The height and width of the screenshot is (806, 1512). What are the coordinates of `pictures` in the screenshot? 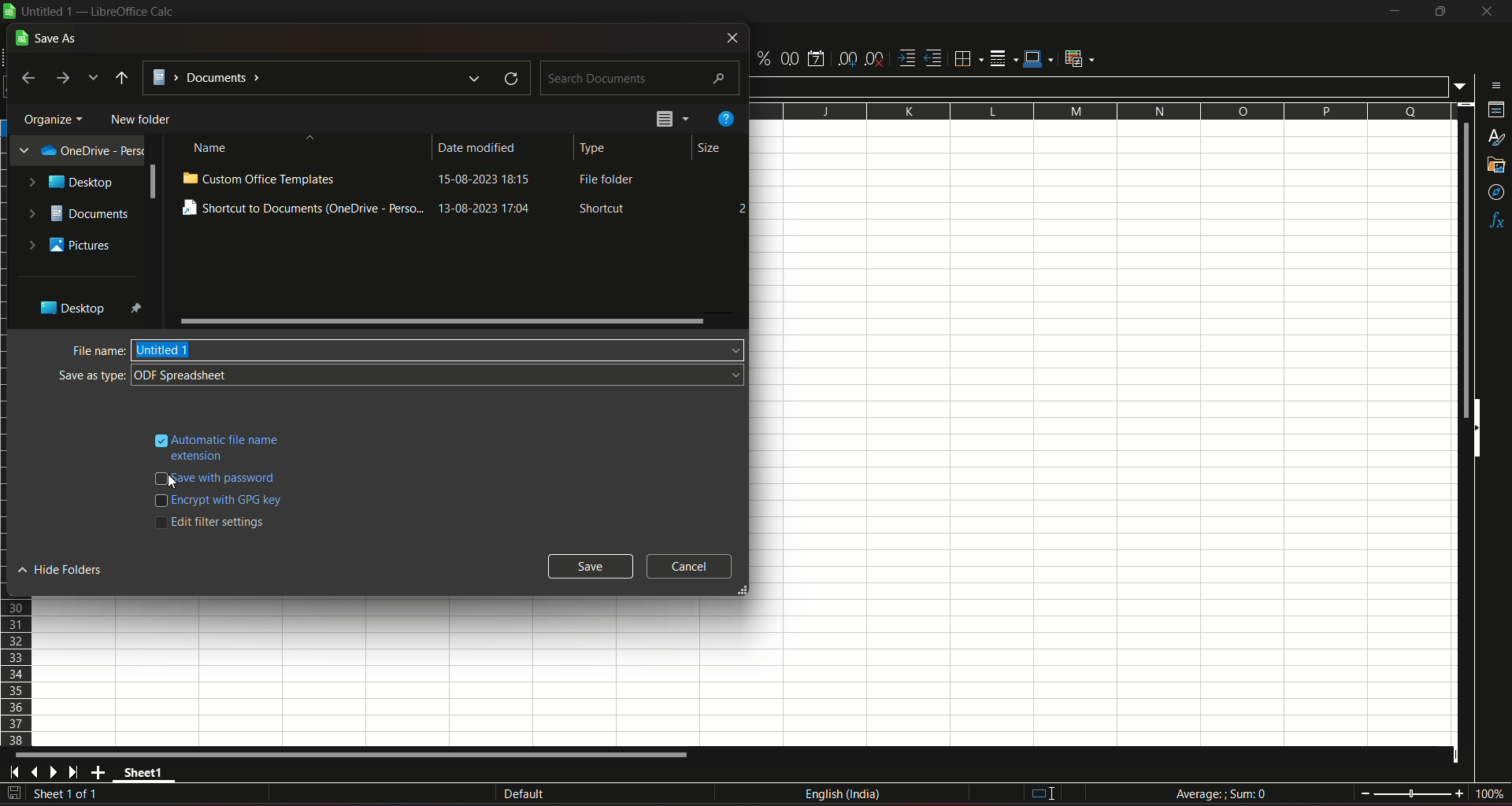 It's located at (70, 246).